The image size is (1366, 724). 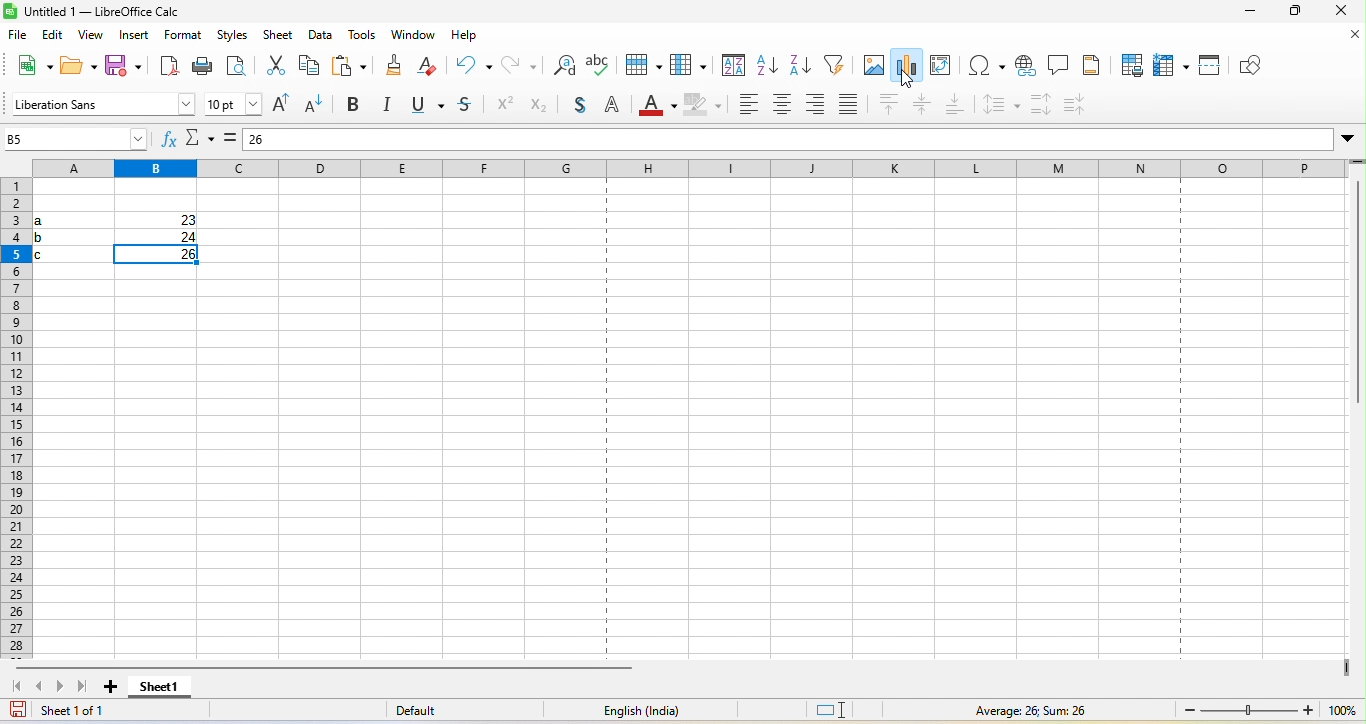 I want to click on formula, so click(x=230, y=140).